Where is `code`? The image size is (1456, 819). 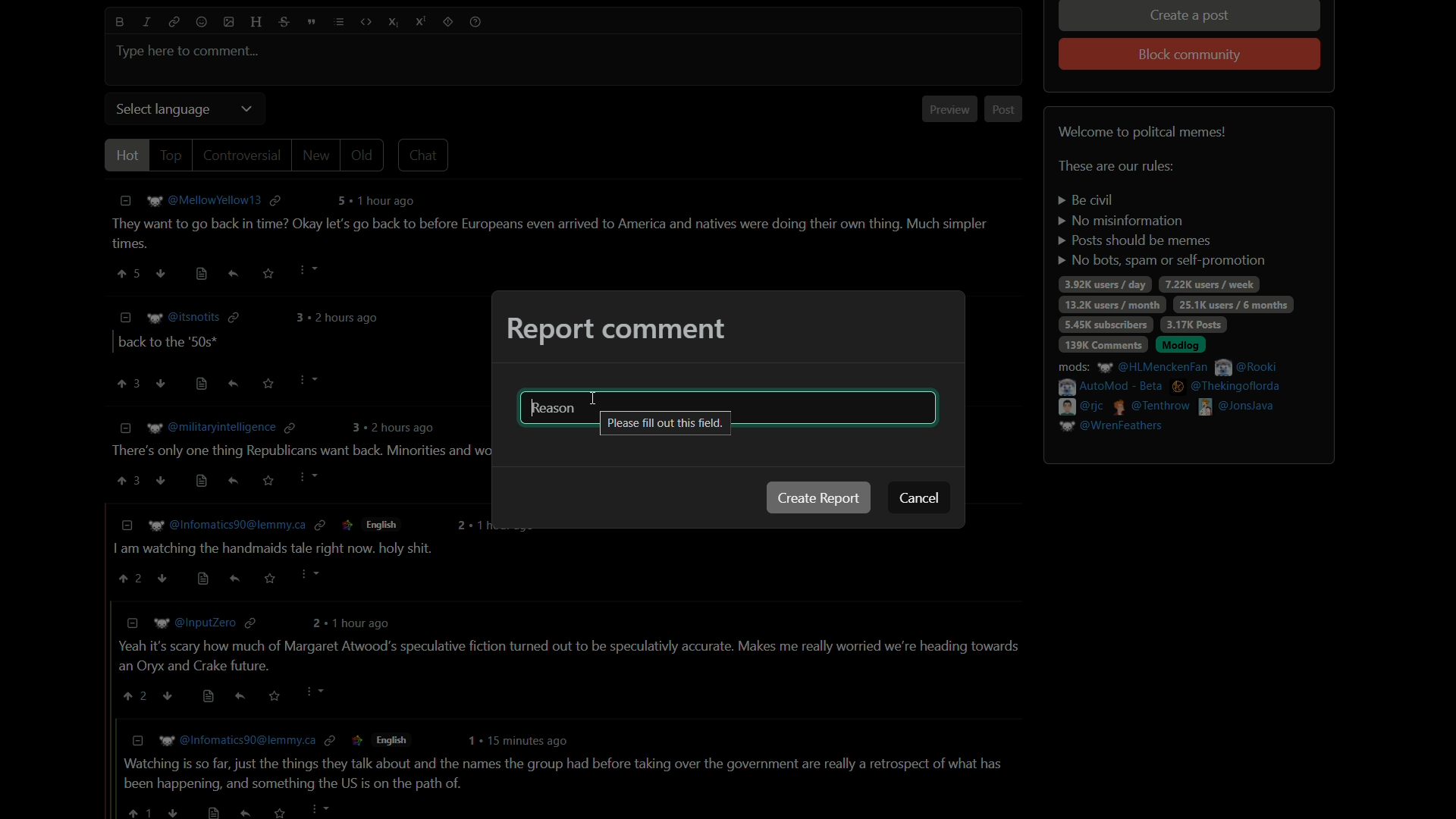 code is located at coordinates (366, 22).